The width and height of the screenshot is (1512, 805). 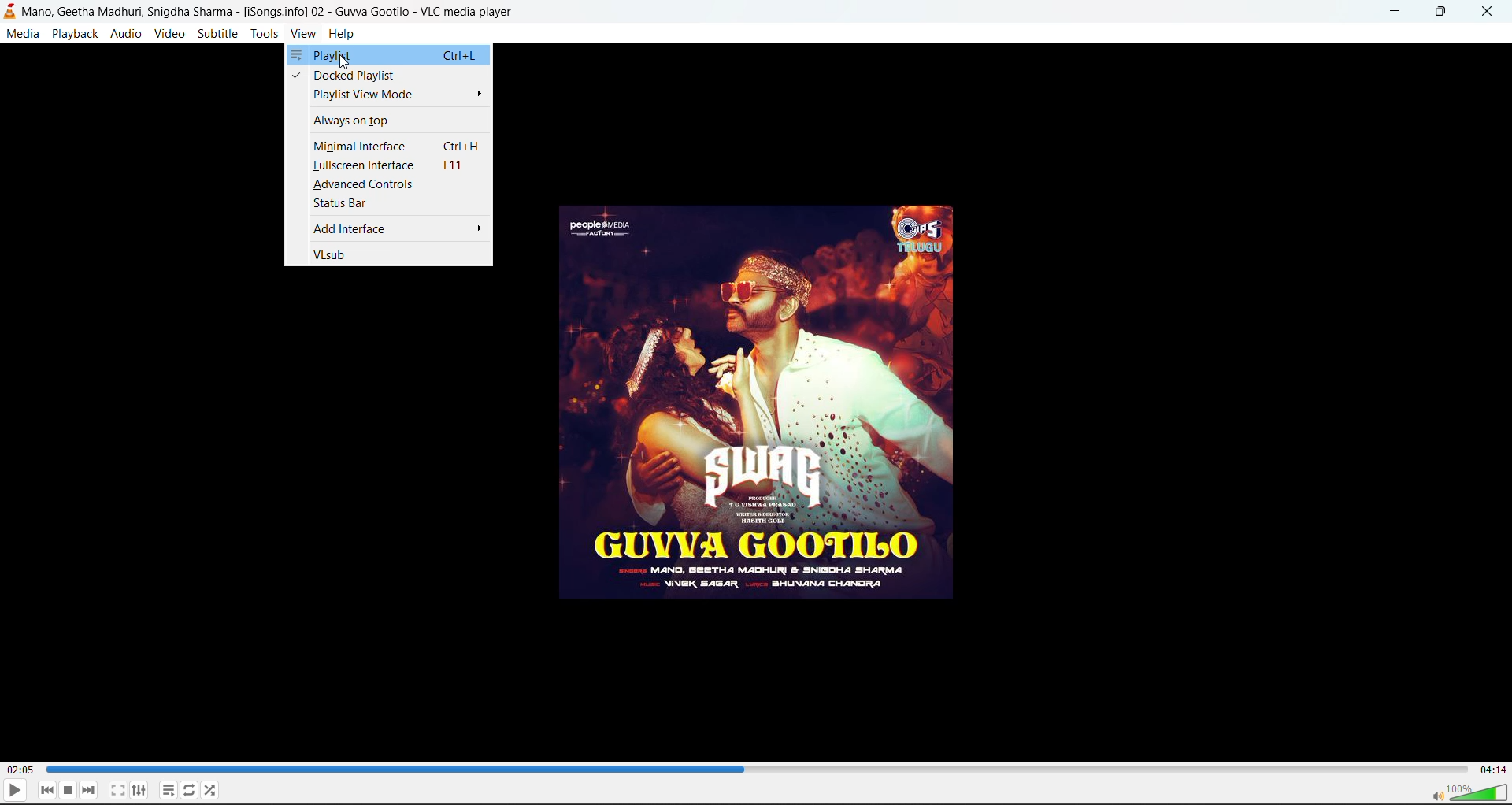 I want to click on advanced controls, so click(x=390, y=184).